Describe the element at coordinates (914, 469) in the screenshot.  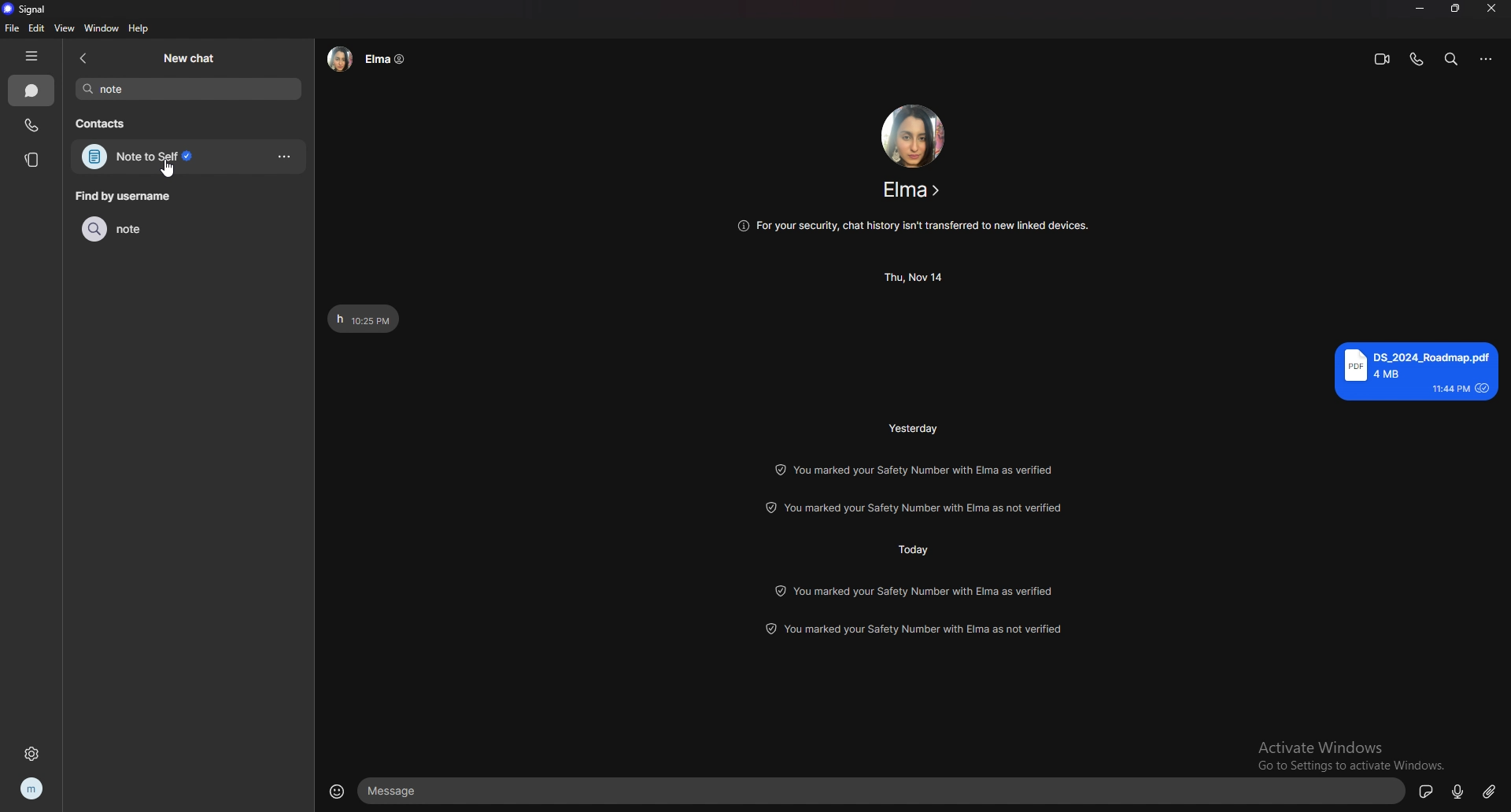
I see `update` at that location.